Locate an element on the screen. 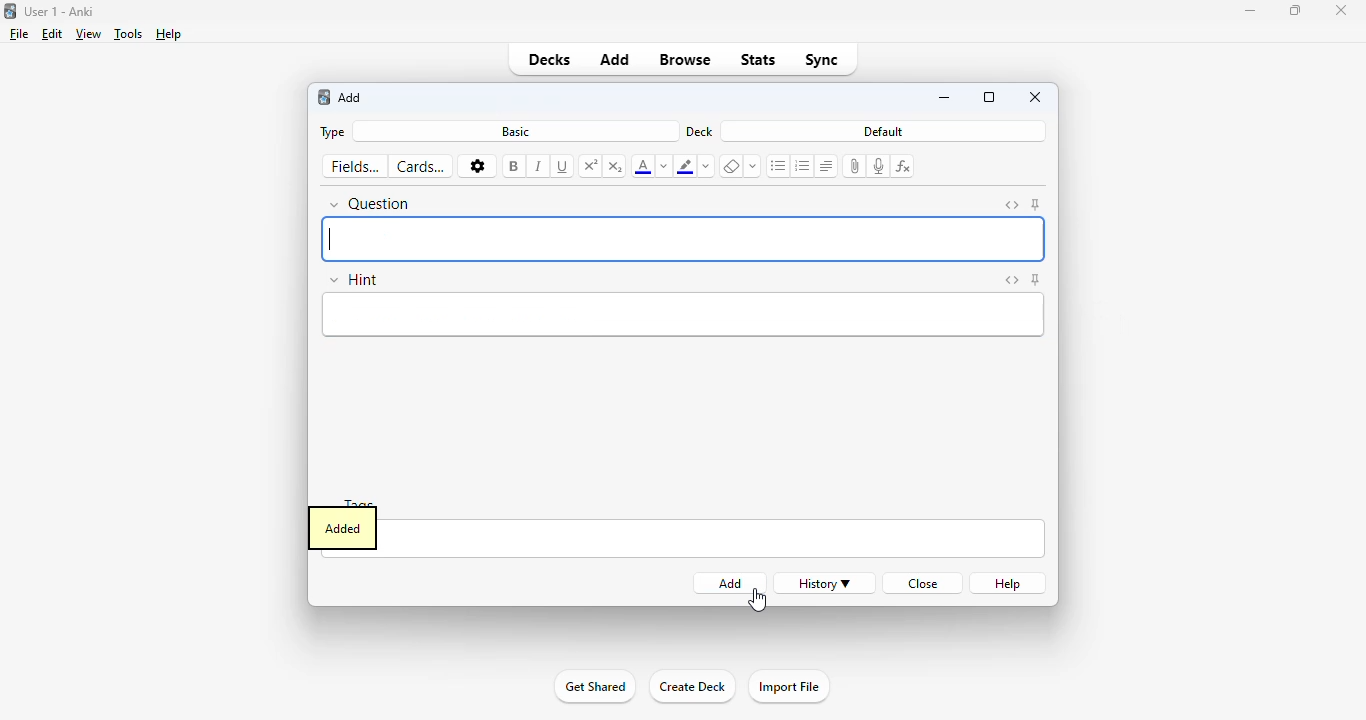  toggle sticky is located at coordinates (1036, 279).